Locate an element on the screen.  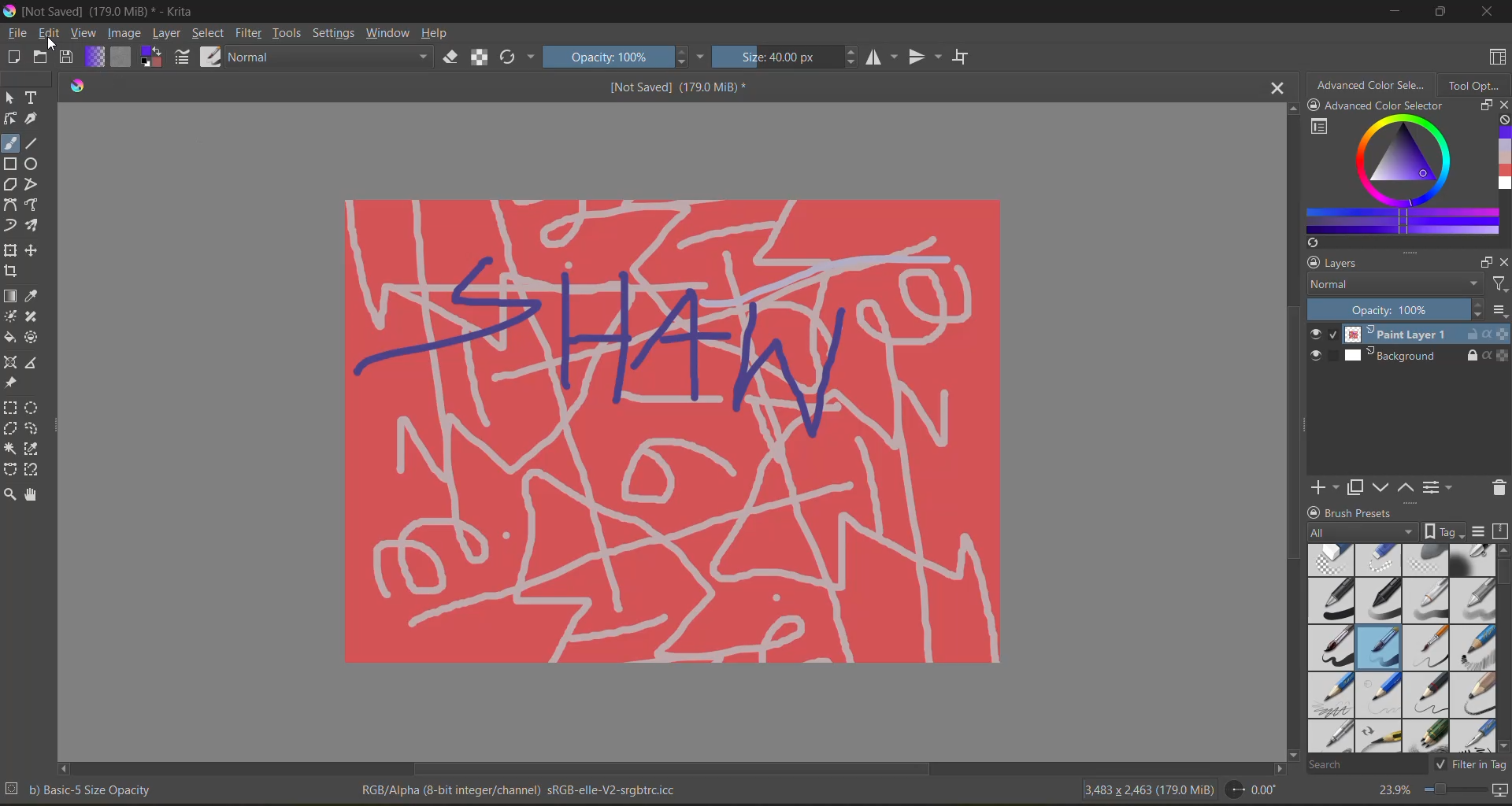
similar selection tool is located at coordinates (34, 449).